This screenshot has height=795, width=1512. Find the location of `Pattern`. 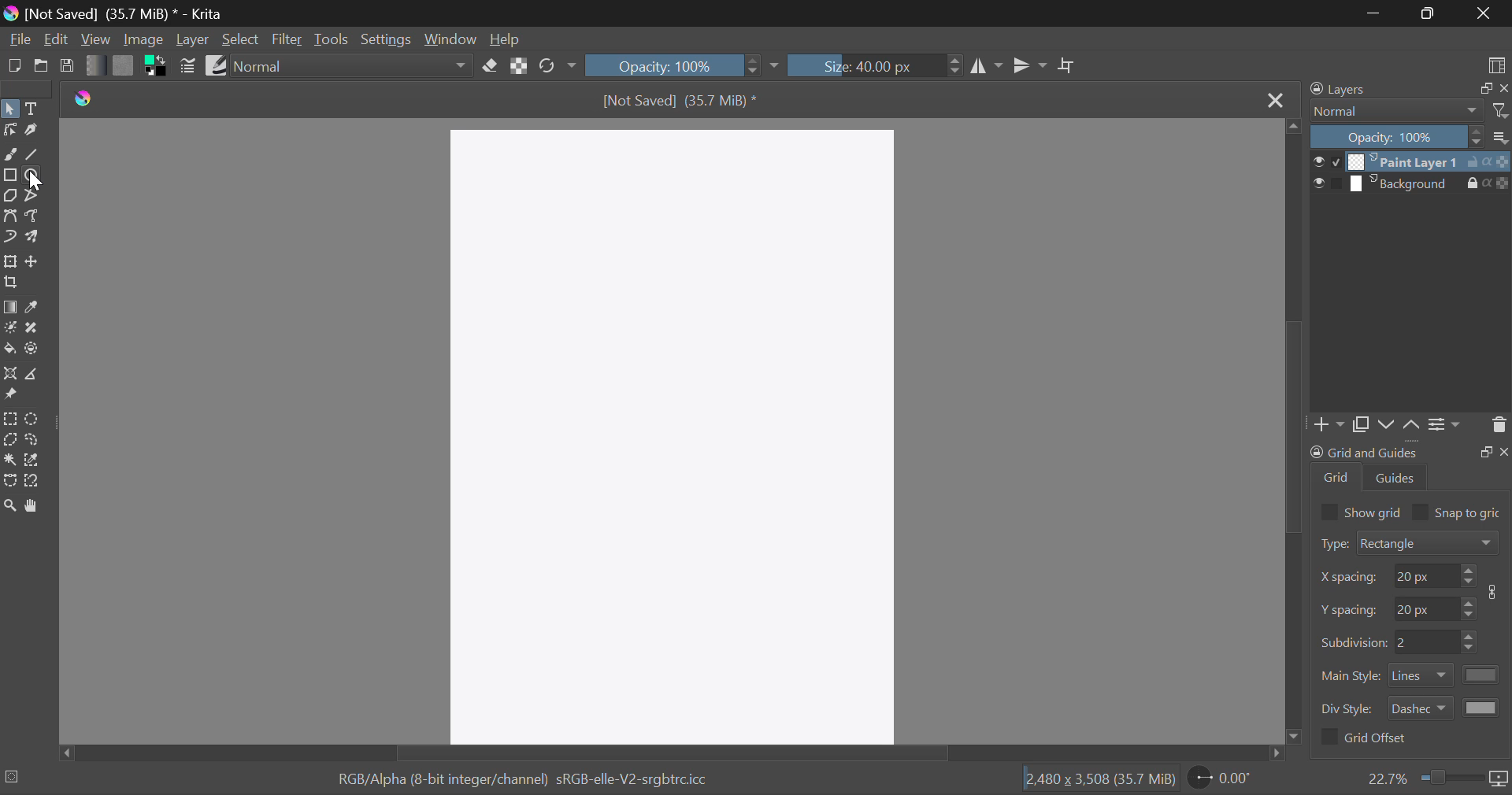

Pattern is located at coordinates (123, 68).